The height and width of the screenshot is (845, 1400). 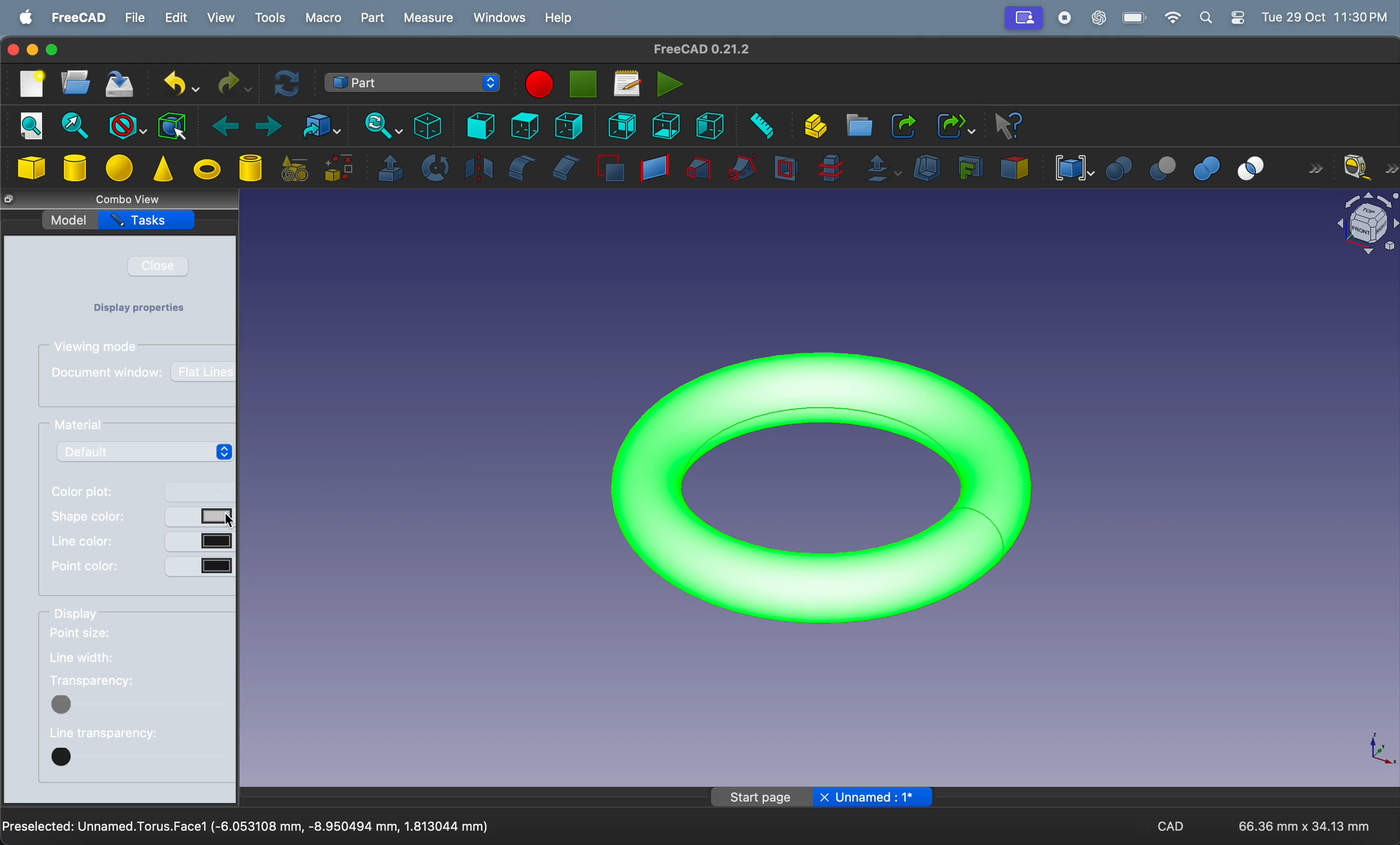 I want to click on measure distance, so click(x=758, y=126).